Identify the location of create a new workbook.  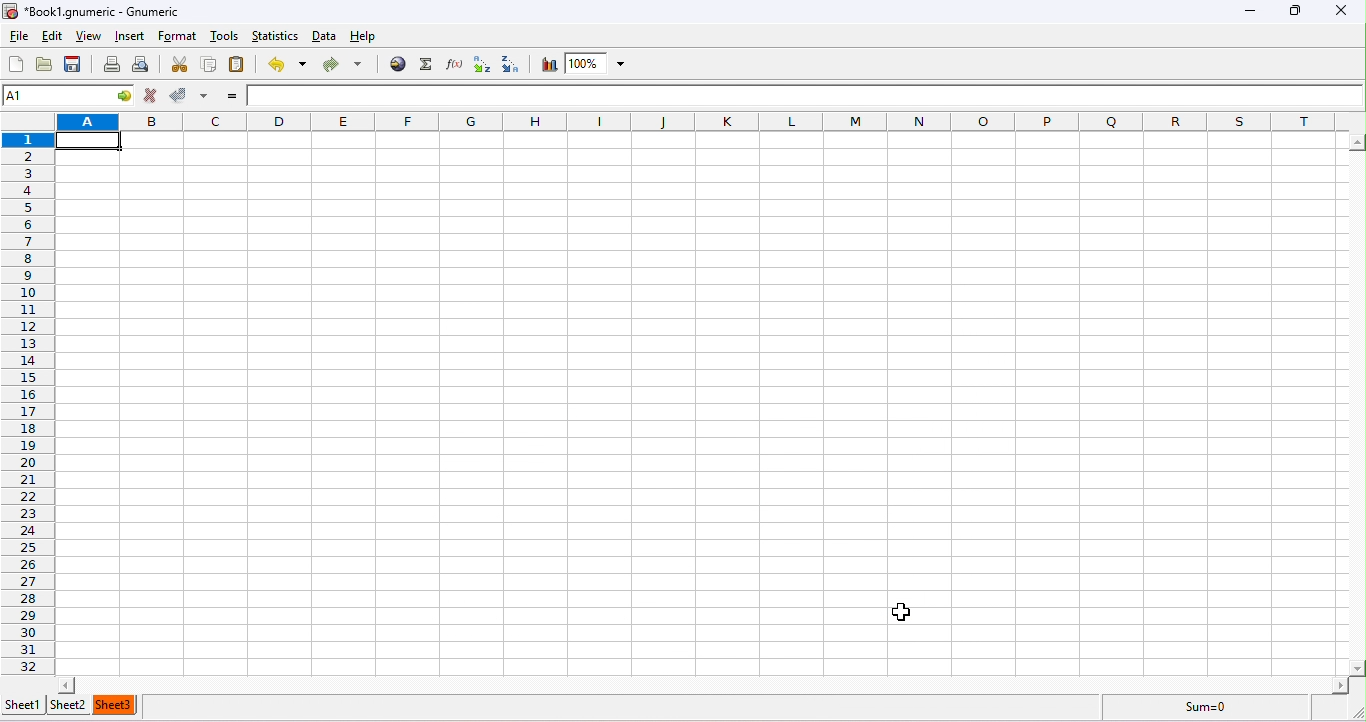
(15, 64).